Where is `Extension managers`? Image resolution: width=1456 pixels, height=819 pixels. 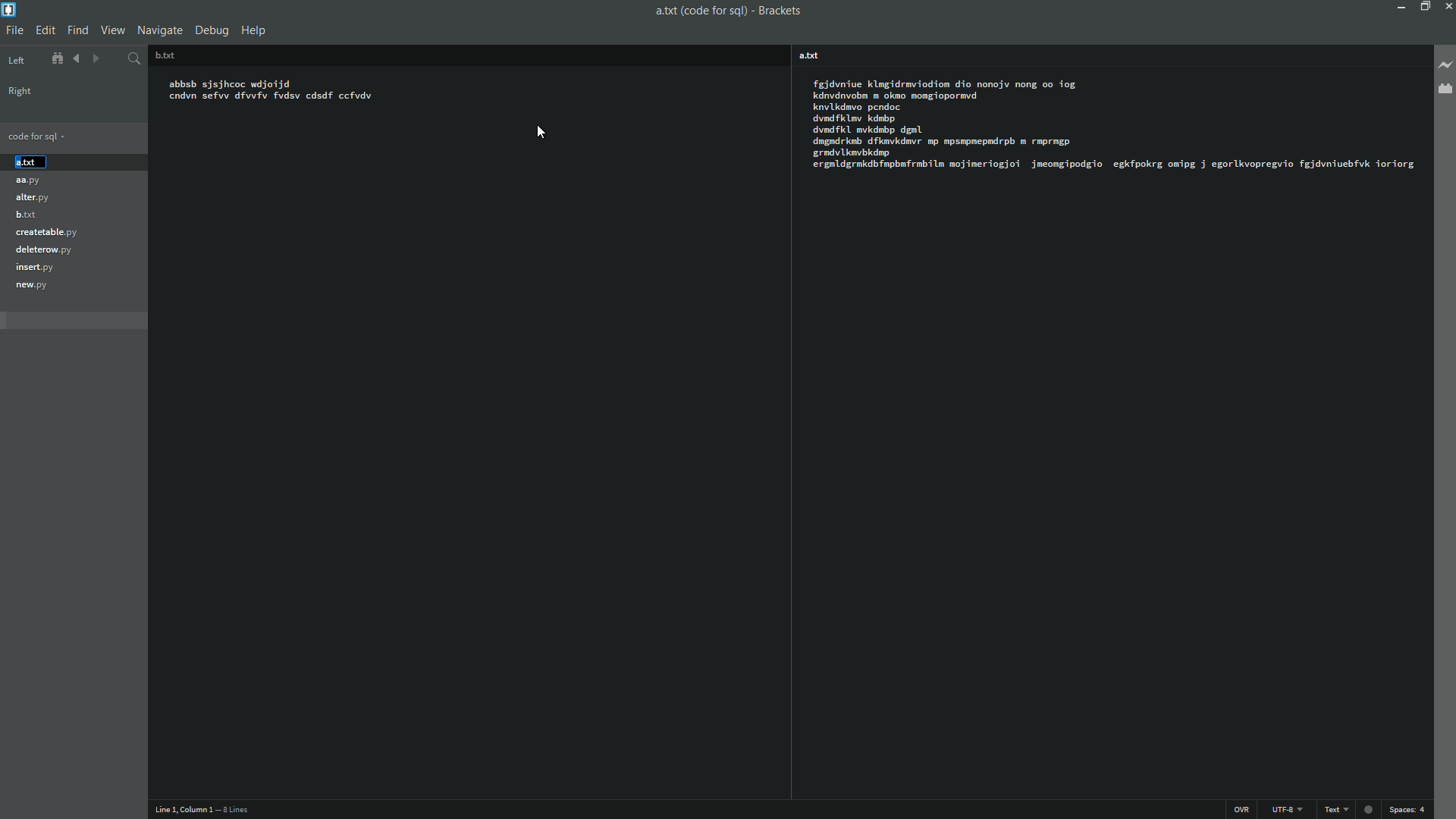 Extension managers is located at coordinates (1444, 91).